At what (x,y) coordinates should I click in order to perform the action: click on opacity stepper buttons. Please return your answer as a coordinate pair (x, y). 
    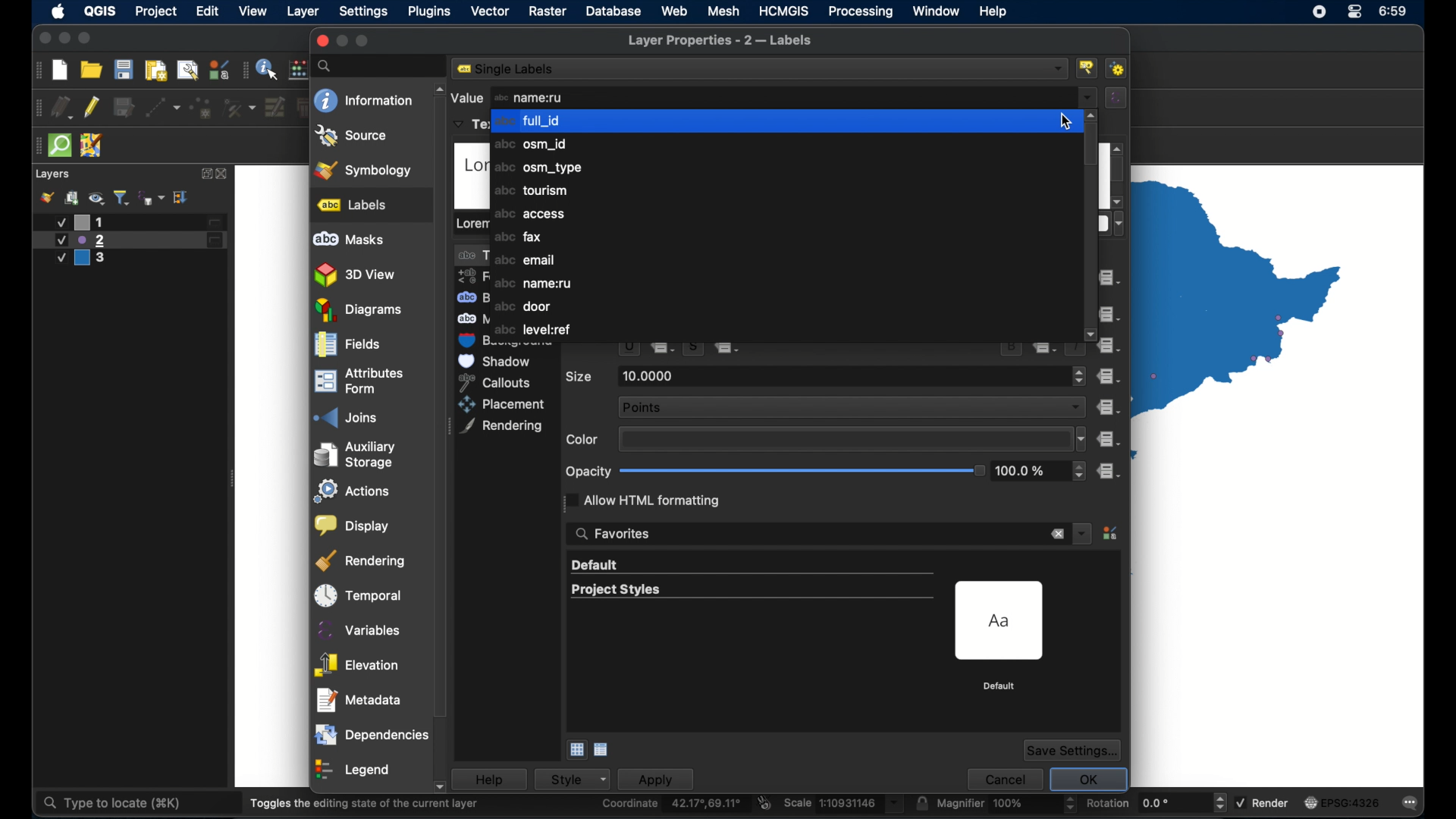
    Looking at the image, I should click on (1041, 471).